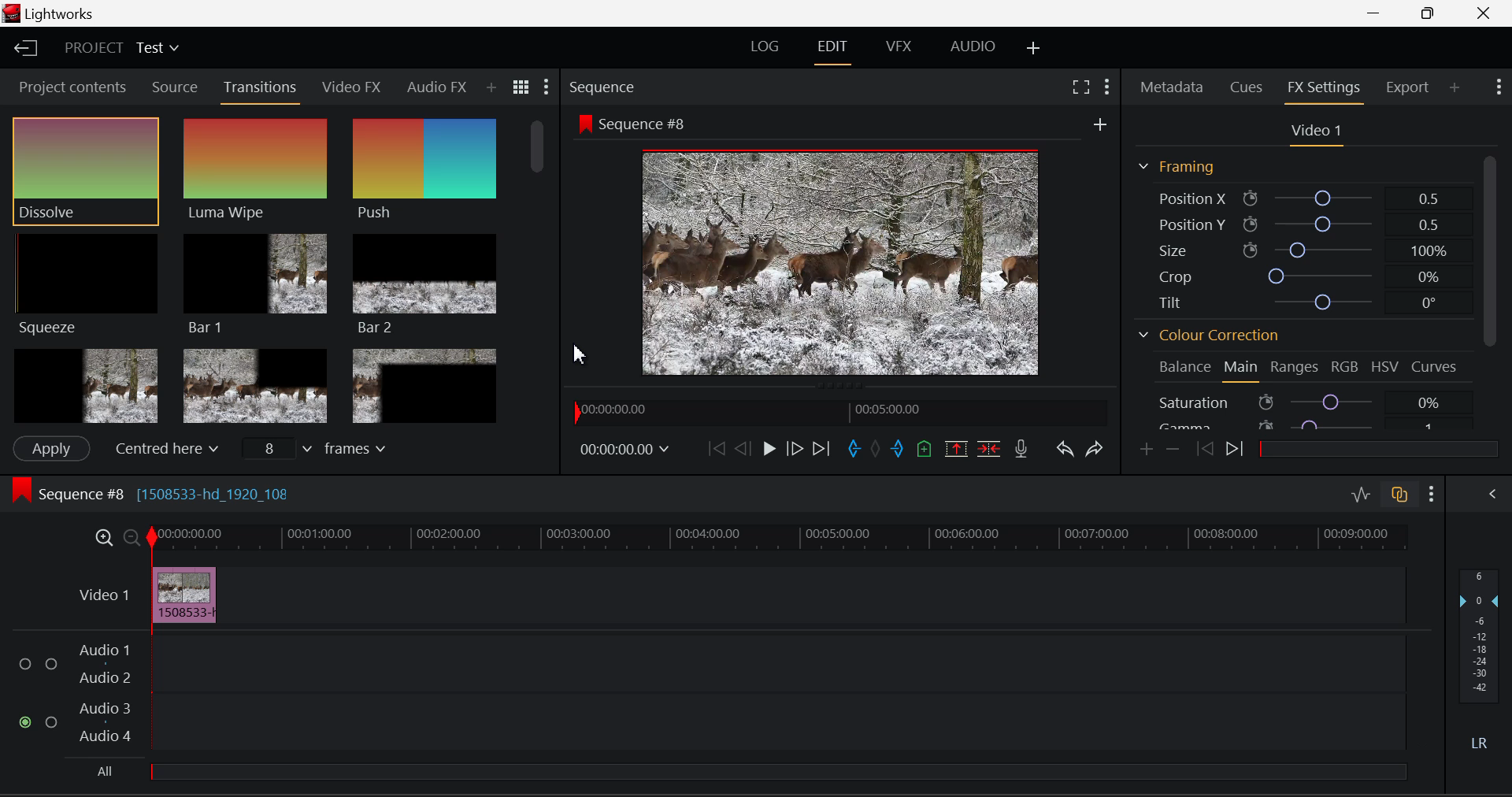 Image resolution: width=1512 pixels, height=797 pixels. I want to click on Bar 2, so click(425, 286).